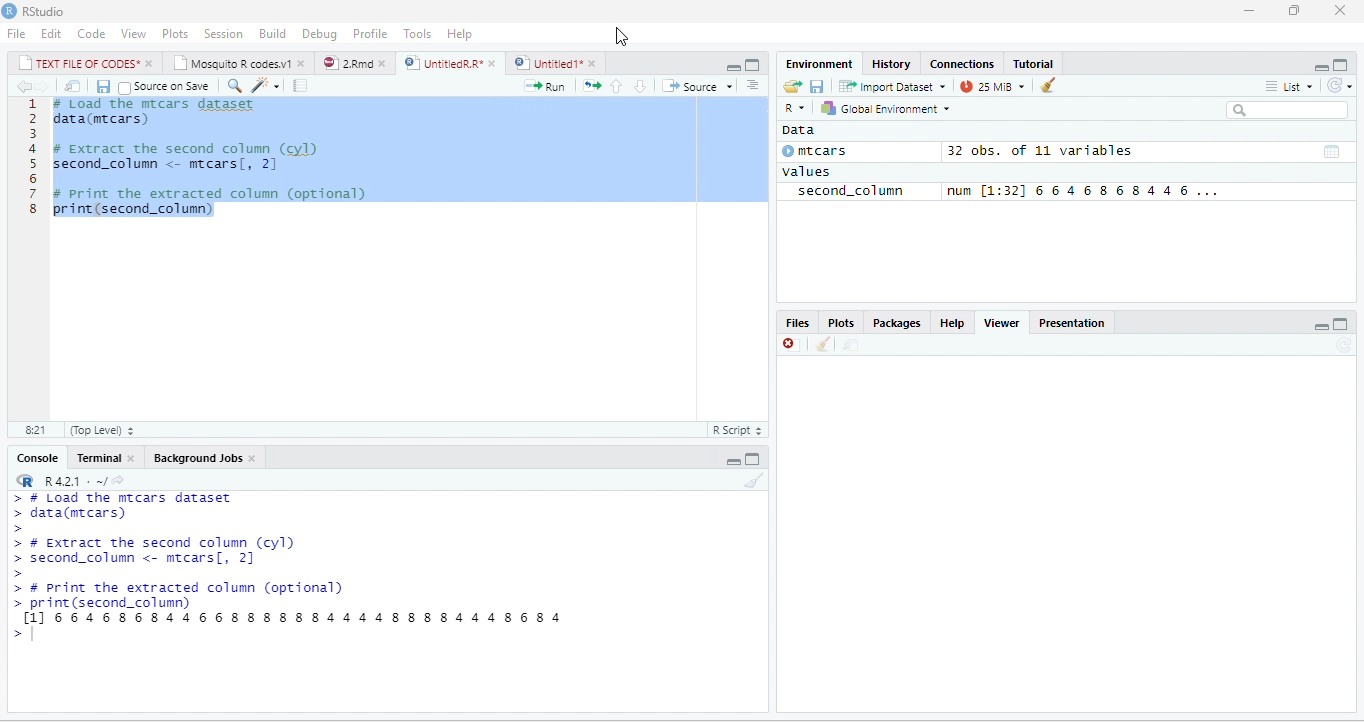  Describe the element at coordinates (1291, 87) in the screenshot. I see `list` at that location.